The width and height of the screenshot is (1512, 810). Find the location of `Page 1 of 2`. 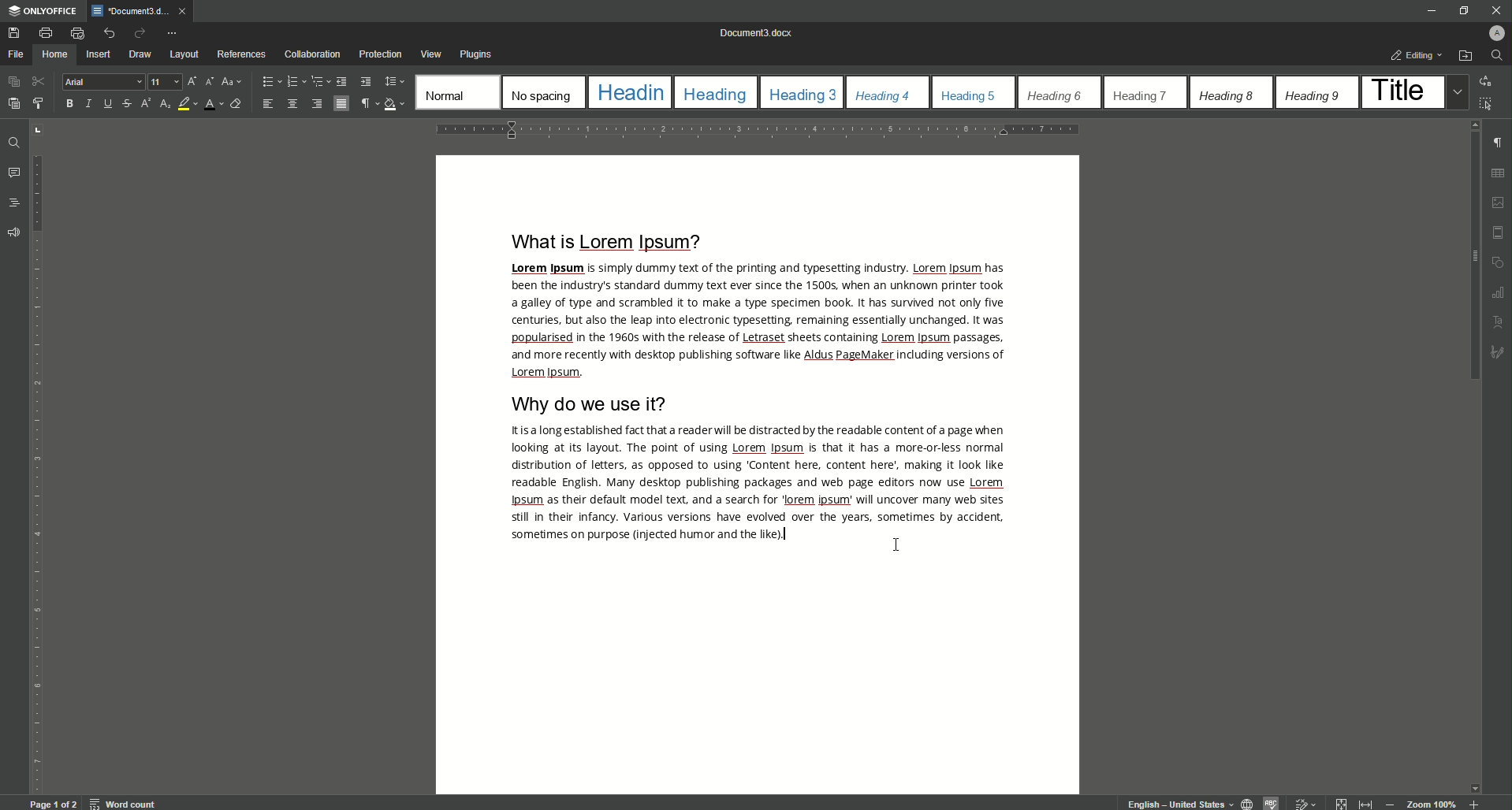

Page 1 of 2 is located at coordinates (51, 804).